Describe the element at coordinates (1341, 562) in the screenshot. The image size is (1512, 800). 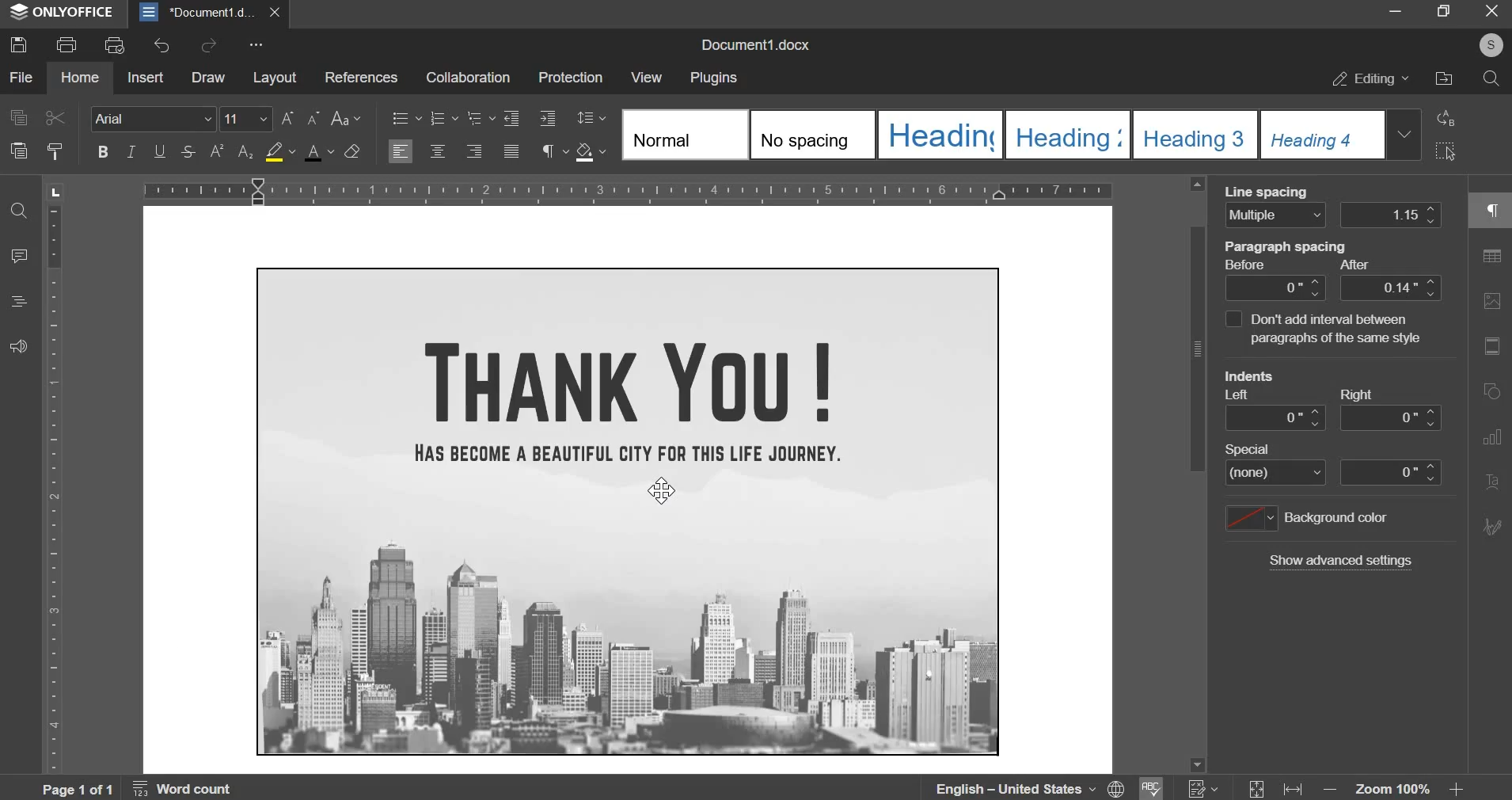
I see `show advanced settings` at that location.